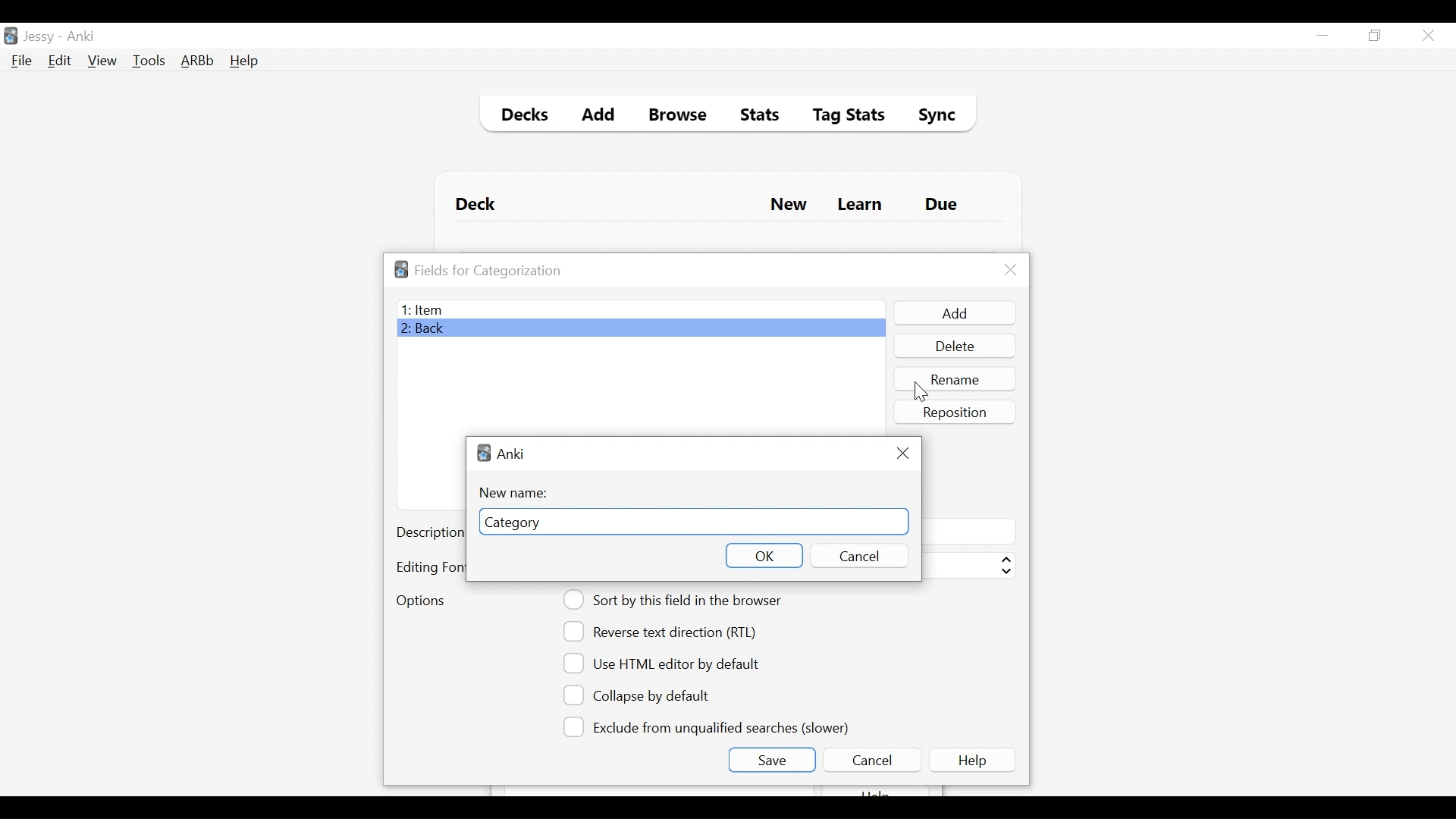 The height and width of the screenshot is (819, 1456). Describe the element at coordinates (931, 117) in the screenshot. I see `Sybc` at that location.